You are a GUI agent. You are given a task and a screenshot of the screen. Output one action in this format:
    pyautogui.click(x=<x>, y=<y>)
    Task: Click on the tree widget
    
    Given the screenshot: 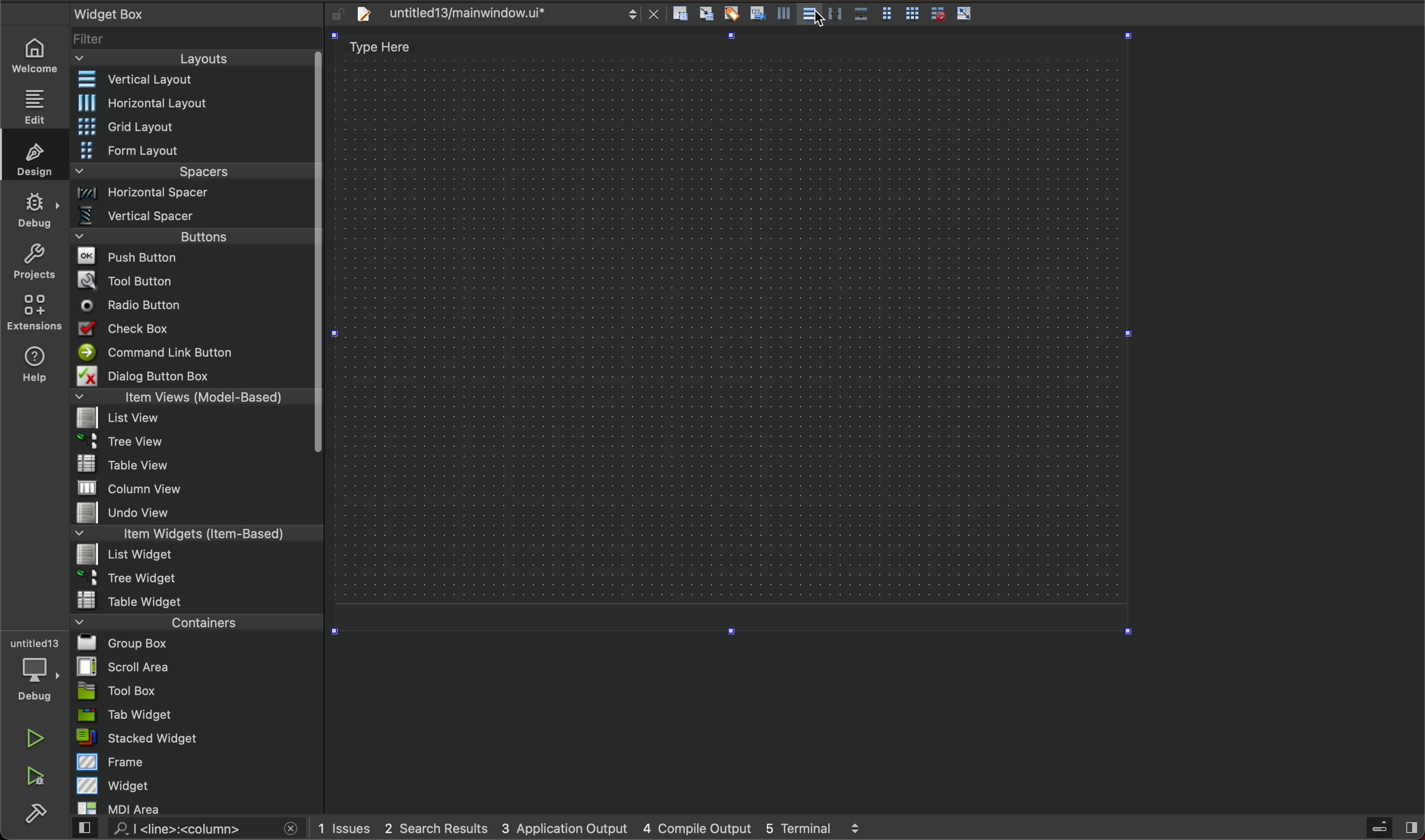 What is the action you would take?
    pyautogui.click(x=193, y=578)
    